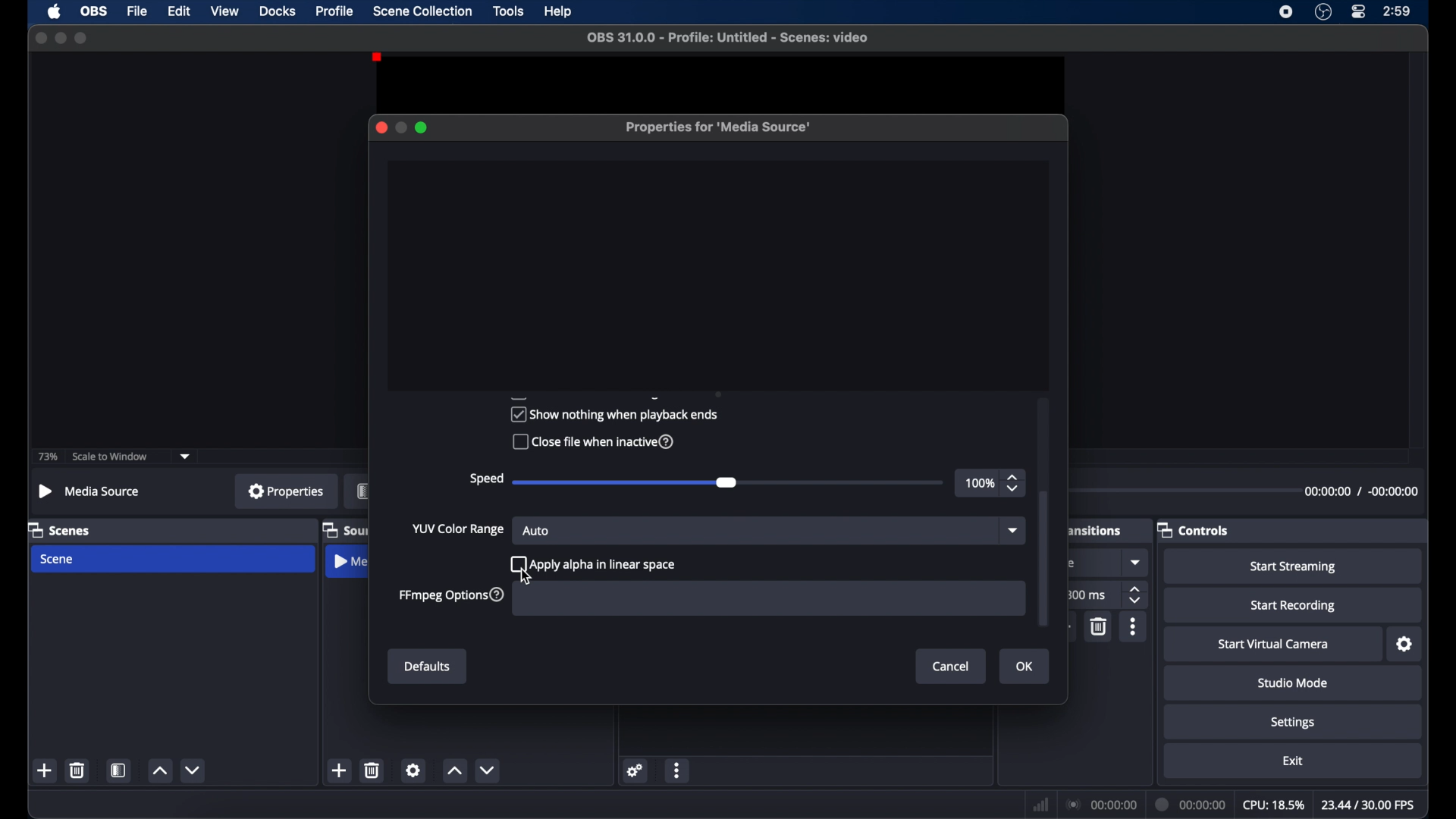 The image size is (1456, 819). Describe the element at coordinates (96, 11) in the screenshot. I see `ob` at that location.